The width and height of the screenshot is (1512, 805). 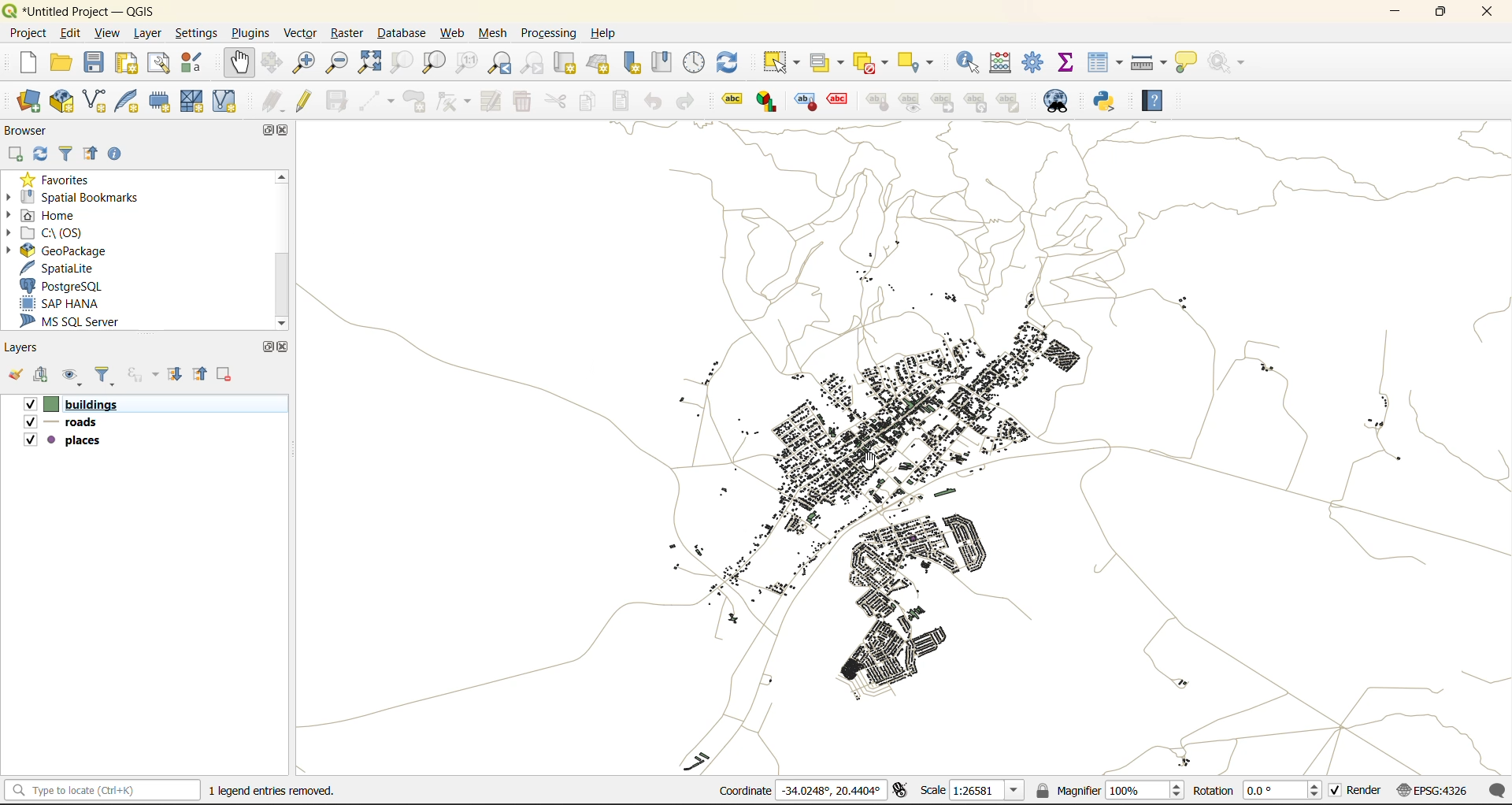 I want to click on spatialite, so click(x=65, y=265).